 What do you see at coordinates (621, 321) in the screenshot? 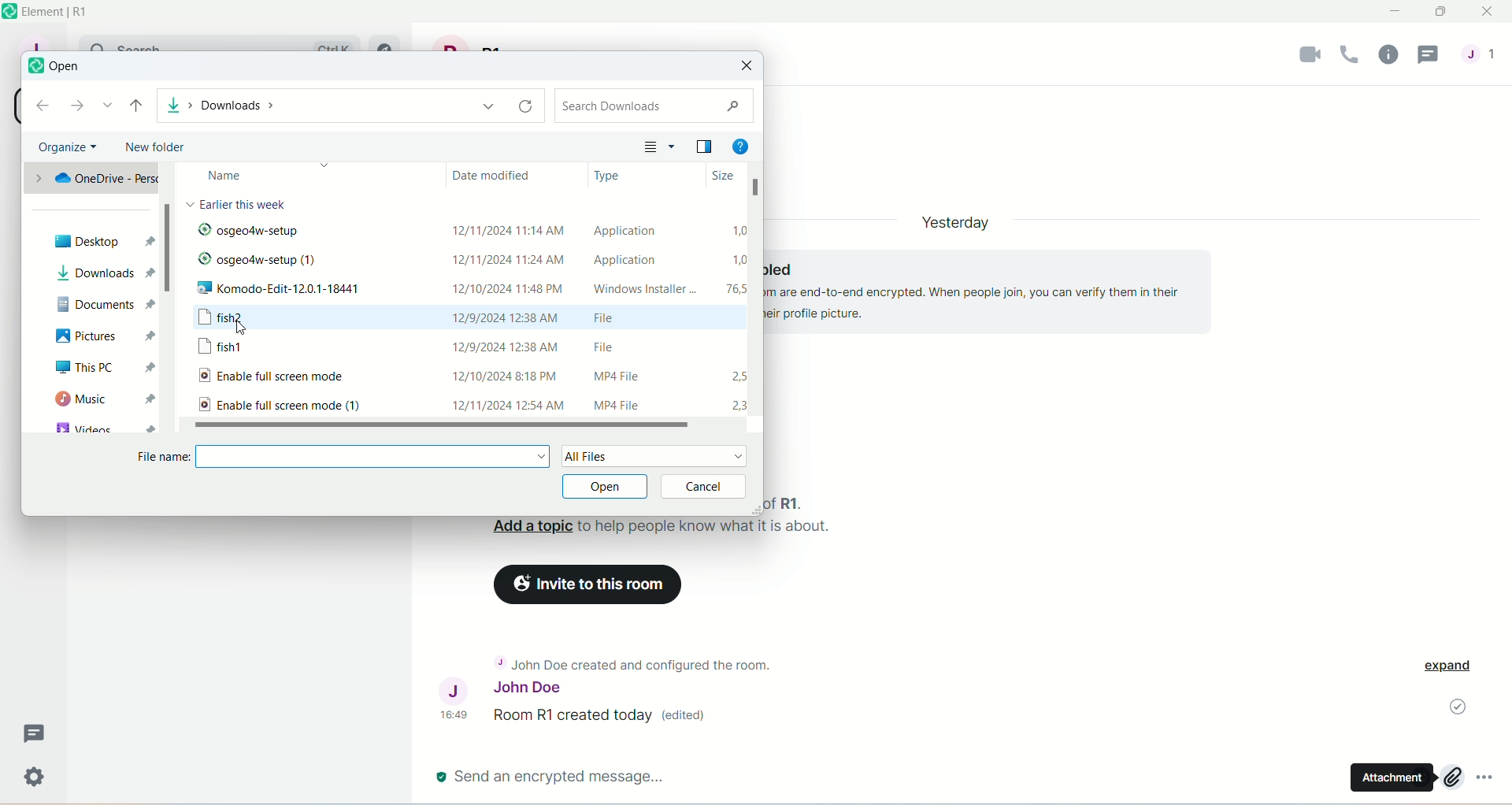
I see `File` at bounding box center [621, 321].